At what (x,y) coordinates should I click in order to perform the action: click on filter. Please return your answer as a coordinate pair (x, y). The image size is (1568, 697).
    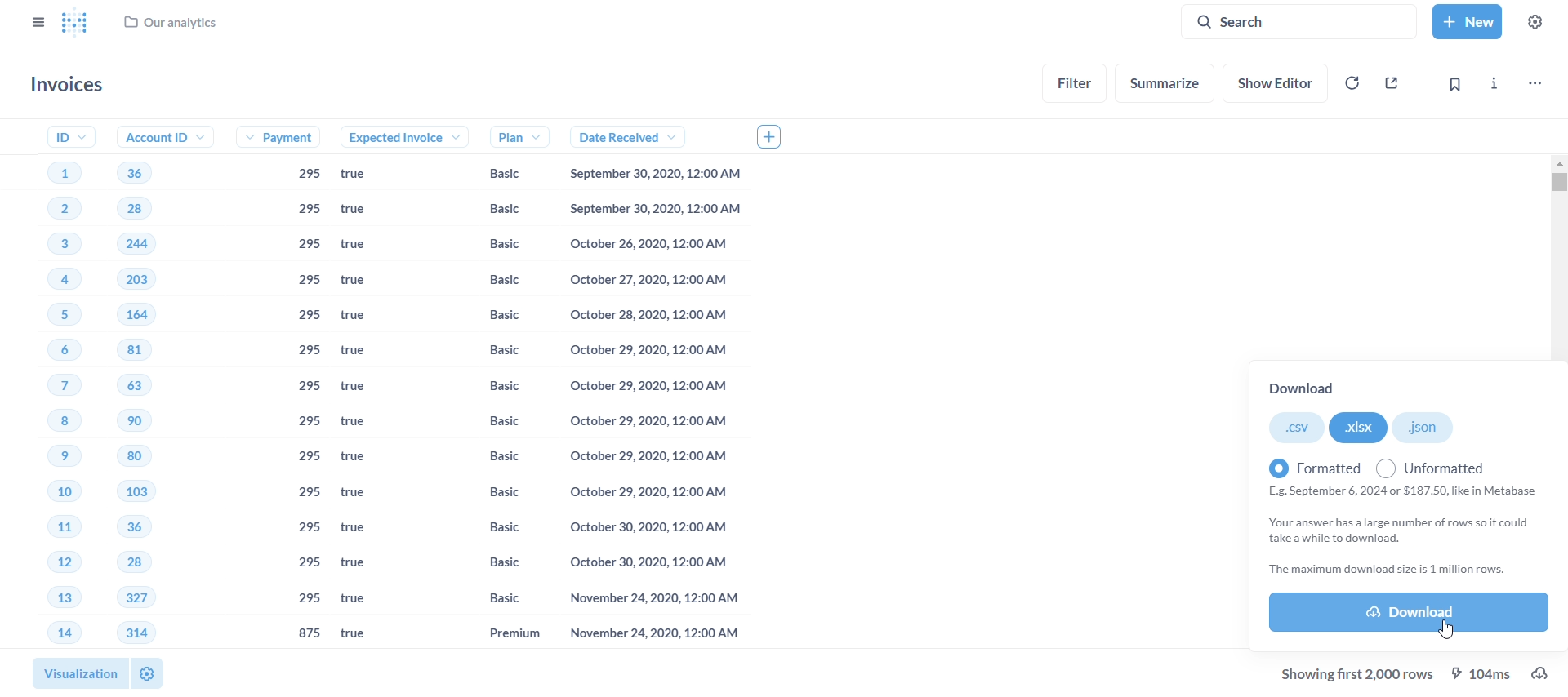
    Looking at the image, I should click on (1076, 82).